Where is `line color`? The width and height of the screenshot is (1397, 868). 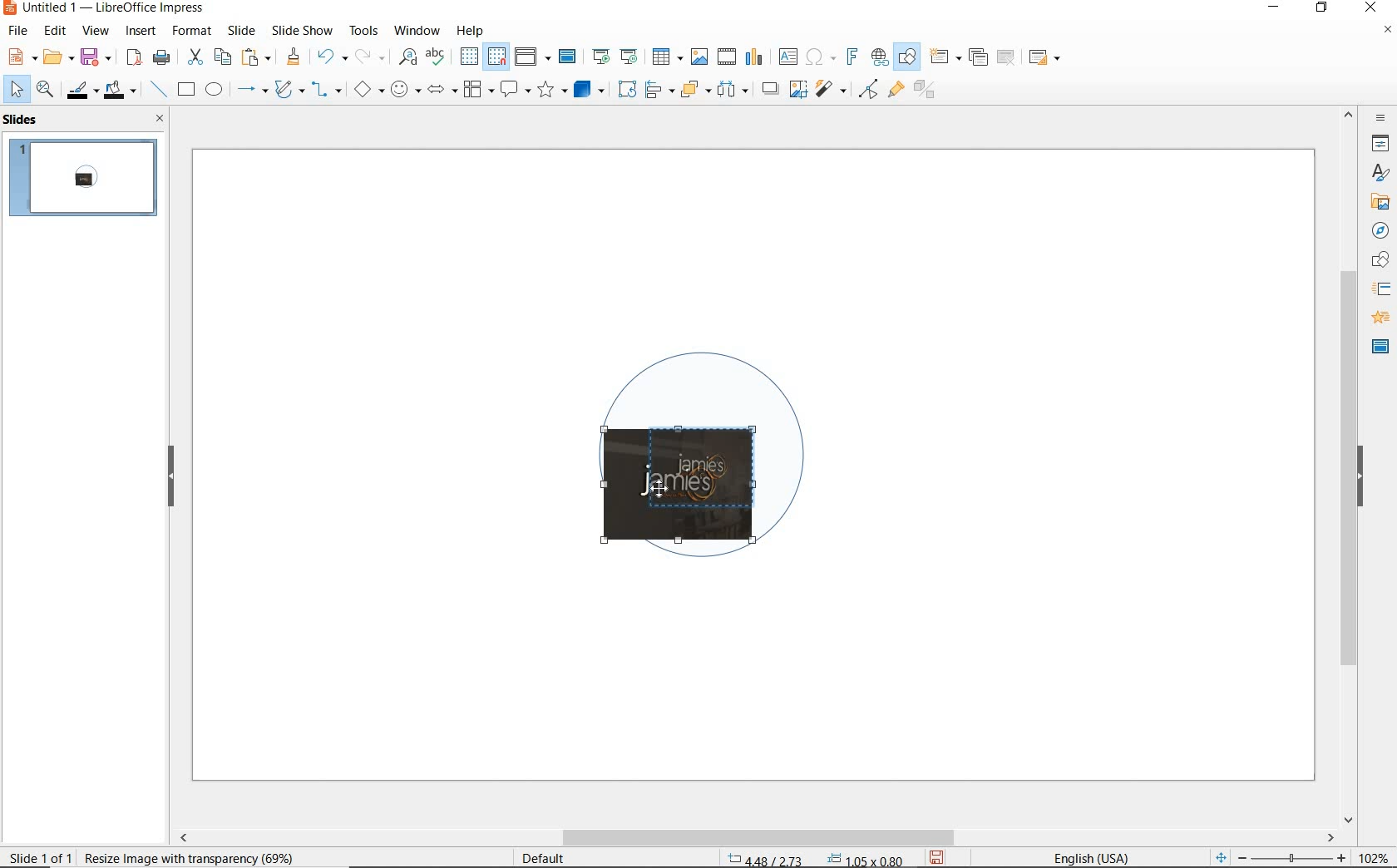
line color is located at coordinates (81, 90).